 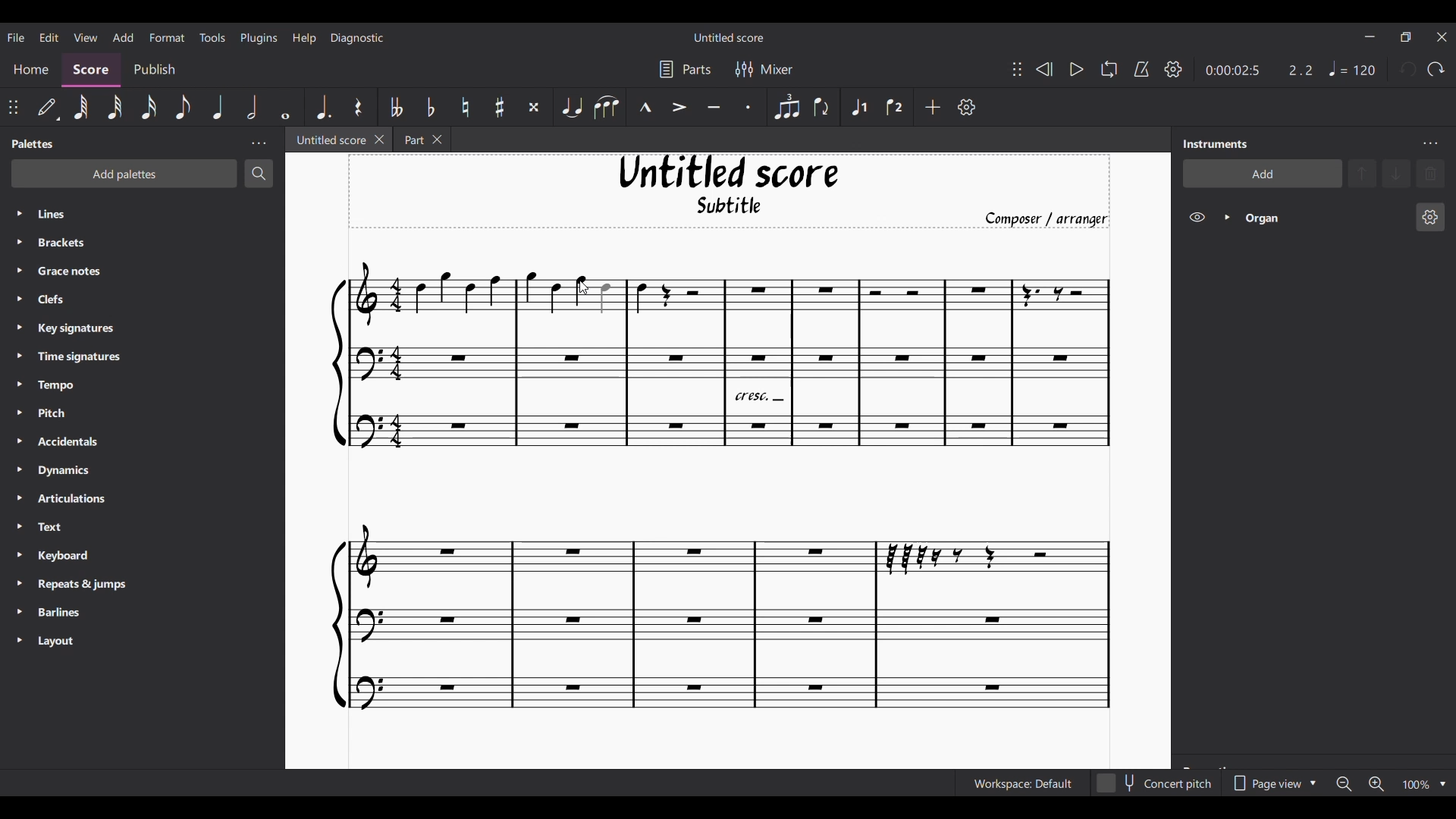 I want to click on Whole note, so click(x=286, y=108).